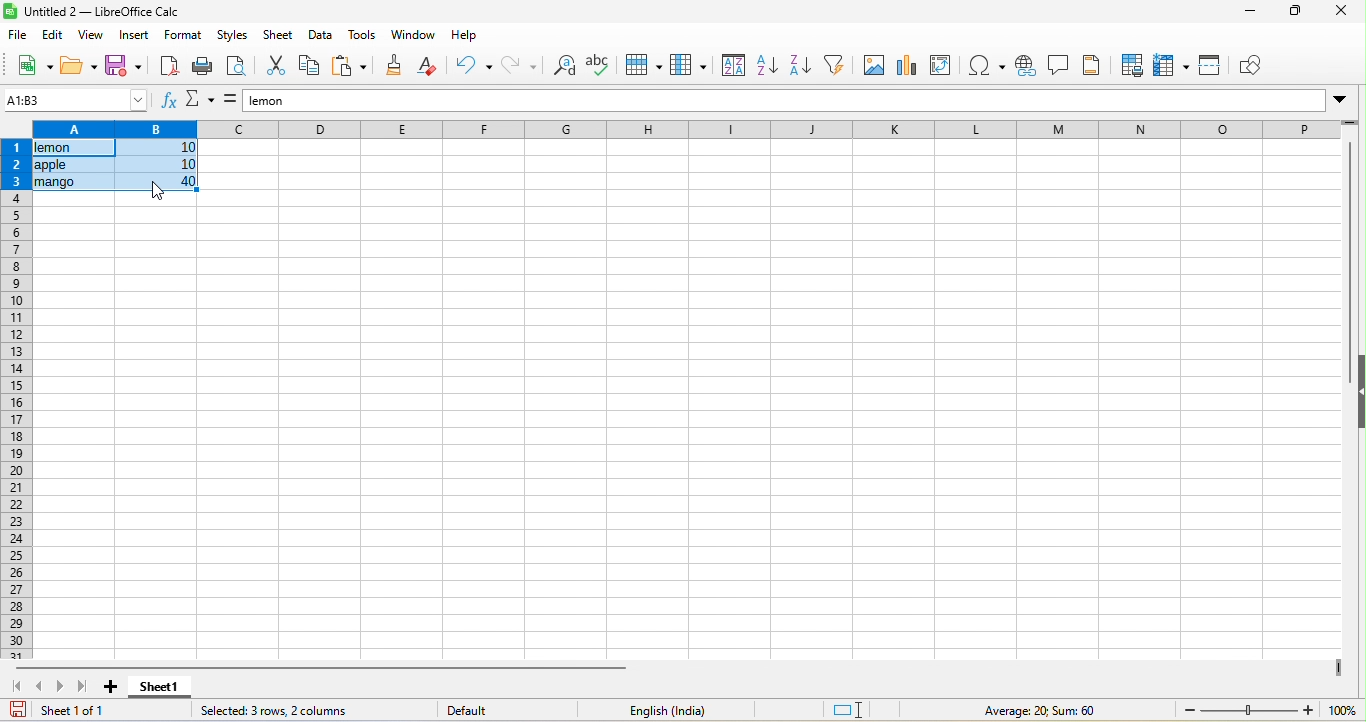 The image size is (1366, 722). Describe the element at coordinates (184, 37) in the screenshot. I see `format` at that location.